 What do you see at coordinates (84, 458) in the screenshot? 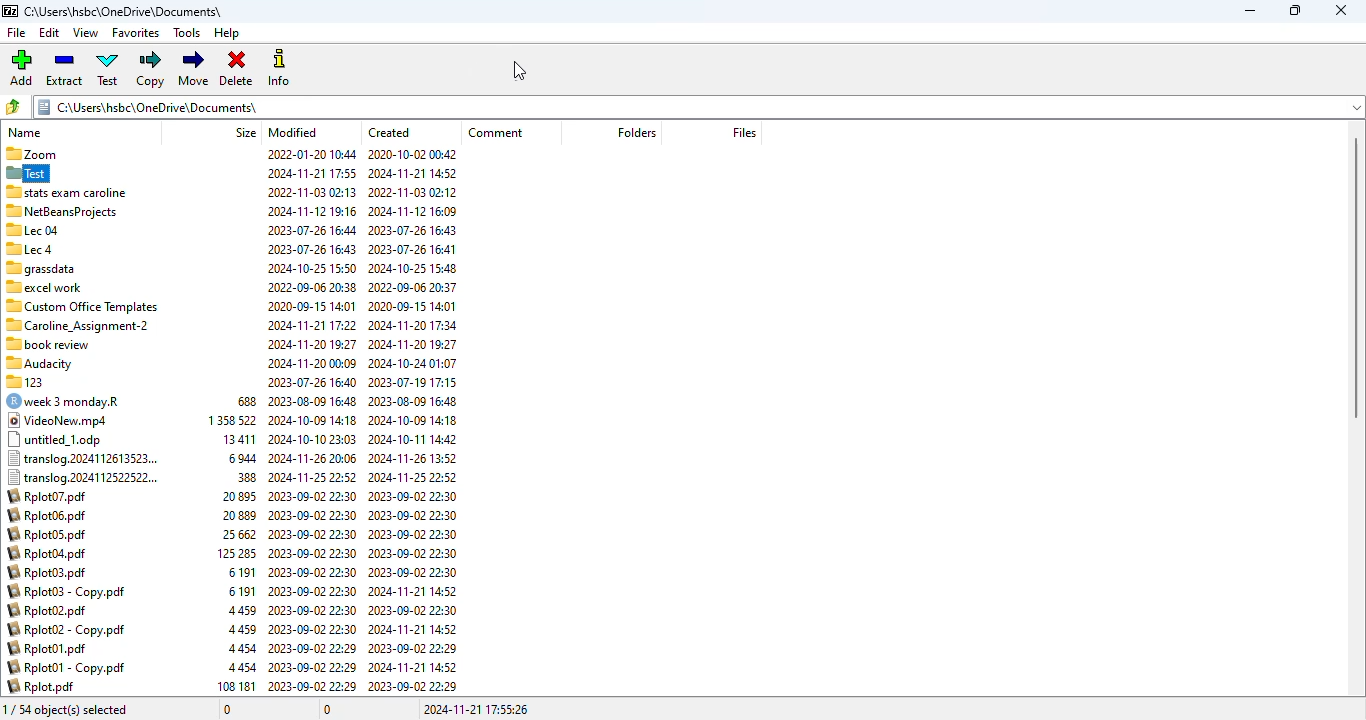
I see `translog.2024112613523...` at bounding box center [84, 458].